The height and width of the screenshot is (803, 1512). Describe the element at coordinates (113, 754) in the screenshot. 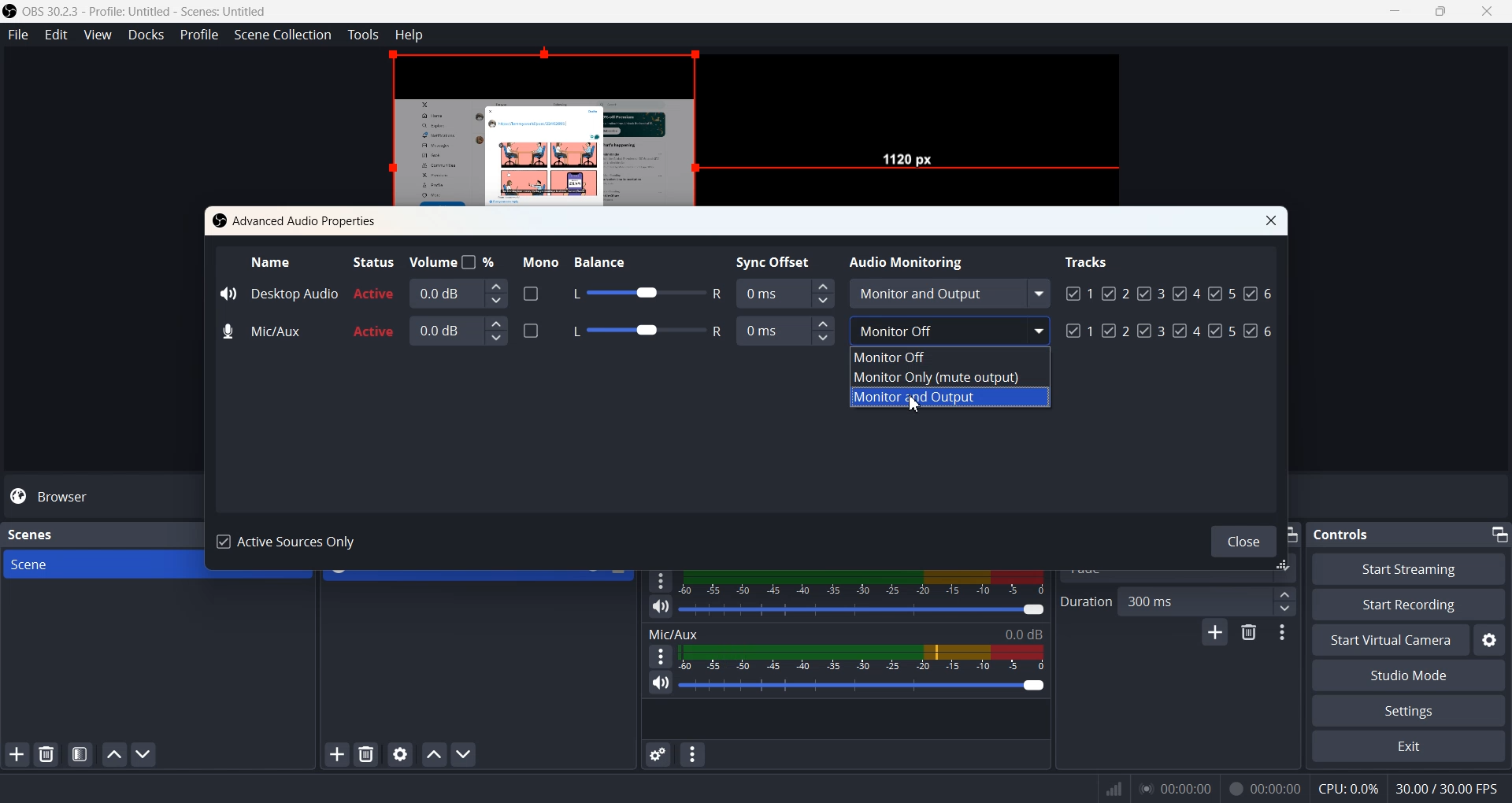

I see `Move scene up` at that location.